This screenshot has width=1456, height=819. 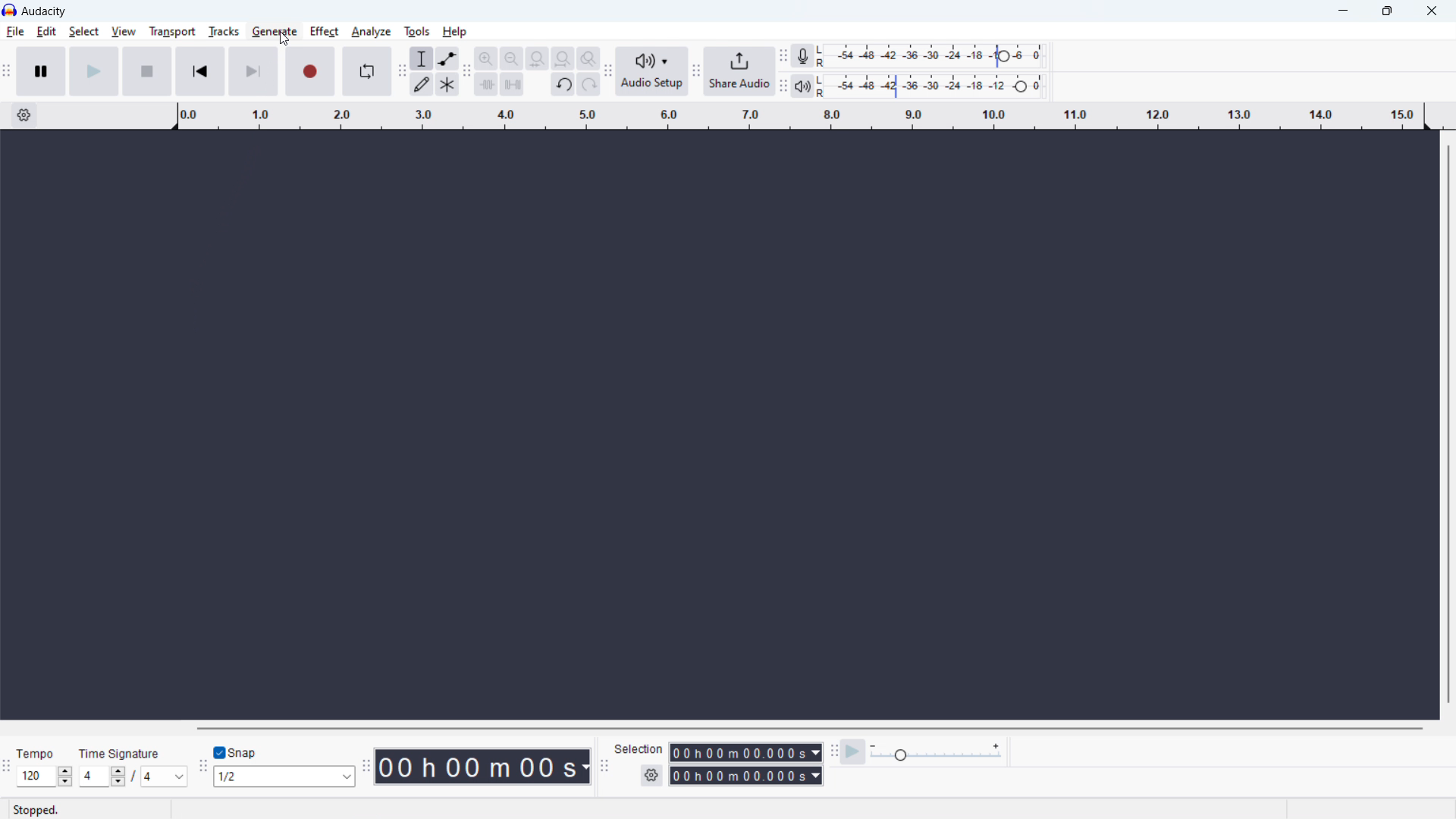 I want to click on tracks, so click(x=224, y=31).